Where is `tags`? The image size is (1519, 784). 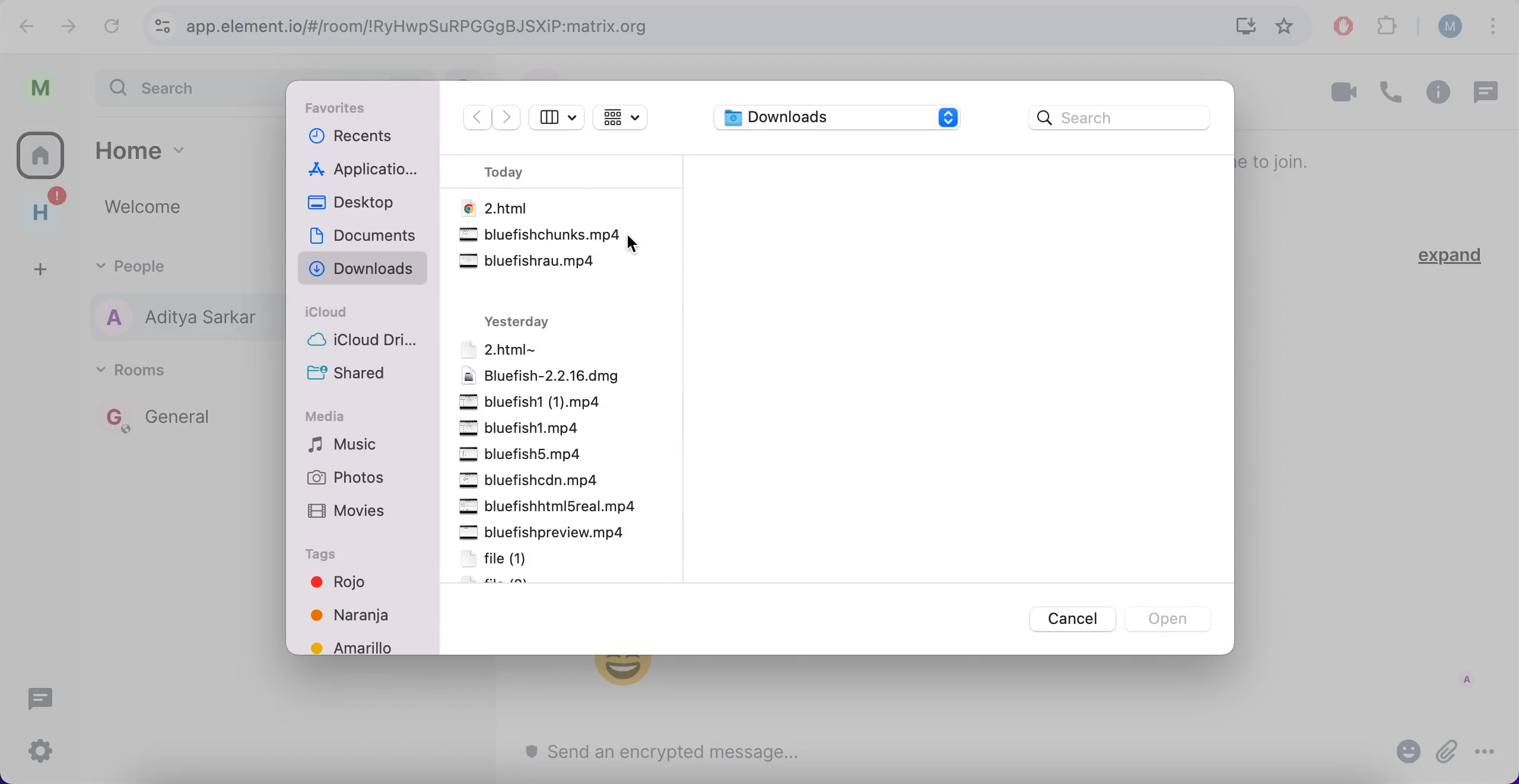
tags is located at coordinates (332, 553).